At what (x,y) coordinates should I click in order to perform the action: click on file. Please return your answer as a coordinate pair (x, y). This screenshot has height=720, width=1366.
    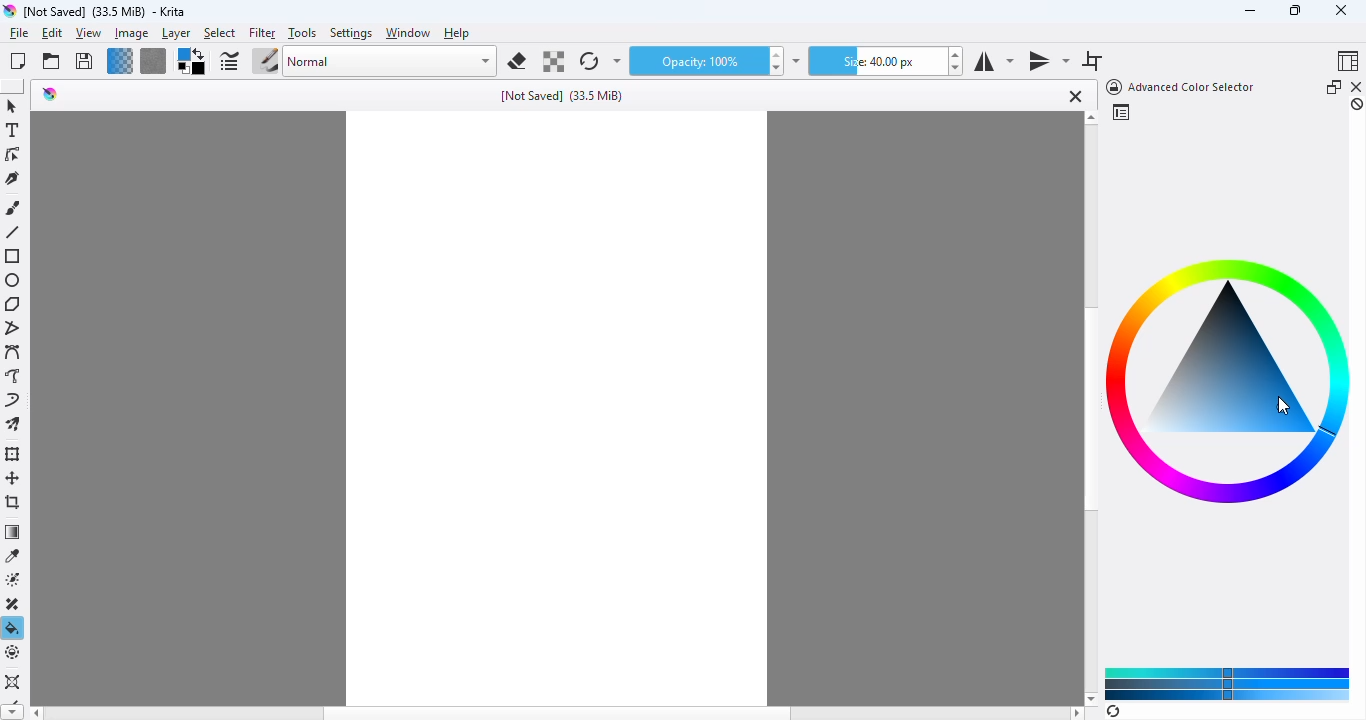
    Looking at the image, I should click on (19, 33).